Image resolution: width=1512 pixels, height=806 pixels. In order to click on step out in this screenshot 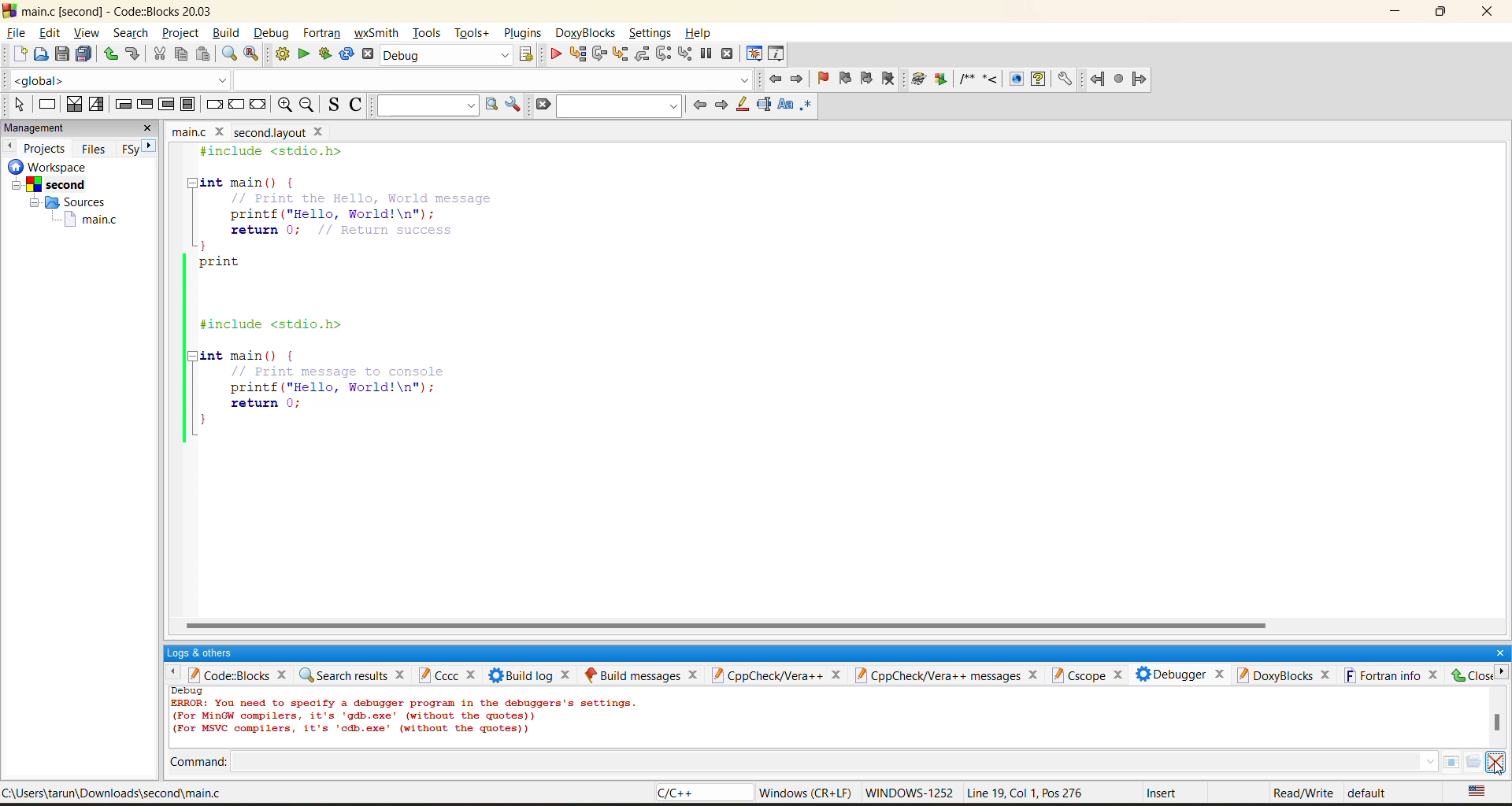, I will do `click(643, 58)`.